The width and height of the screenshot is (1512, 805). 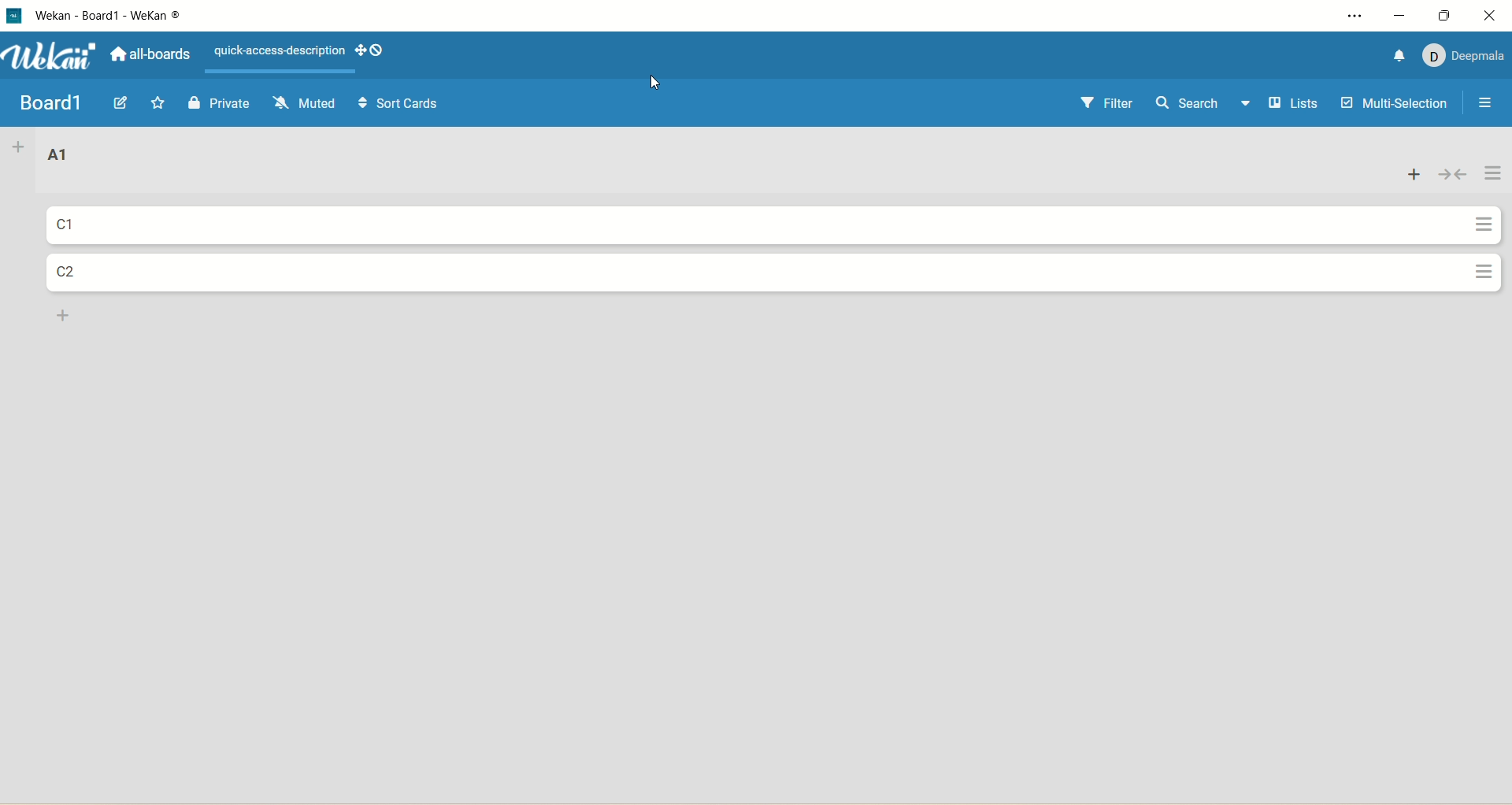 What do you see at coordinates (1292, 104) in the screenshot?
I see `lists` at bounding box center [1292, 104].